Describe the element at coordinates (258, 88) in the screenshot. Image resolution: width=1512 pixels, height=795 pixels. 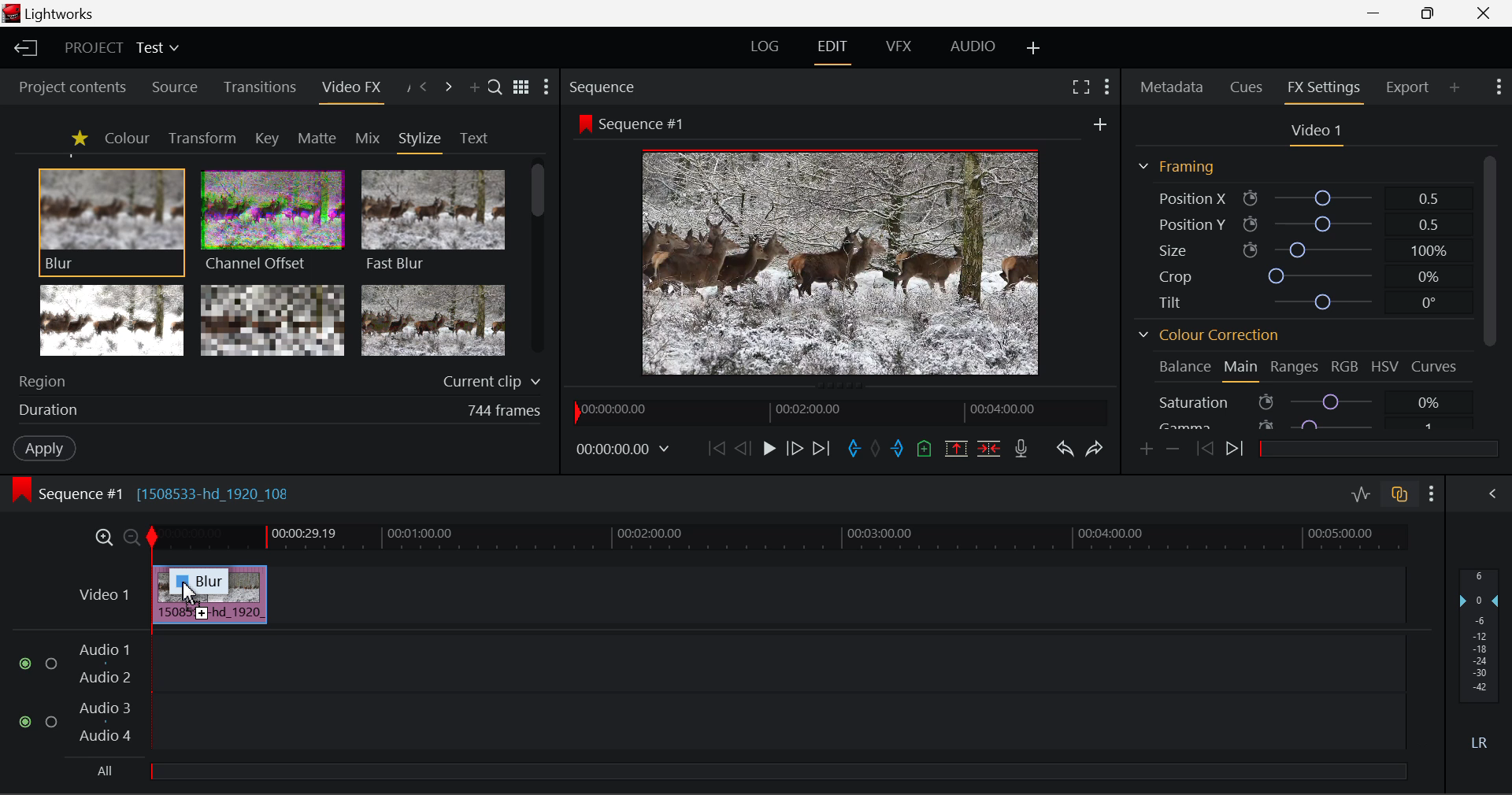
I see `Transitions` at that location.